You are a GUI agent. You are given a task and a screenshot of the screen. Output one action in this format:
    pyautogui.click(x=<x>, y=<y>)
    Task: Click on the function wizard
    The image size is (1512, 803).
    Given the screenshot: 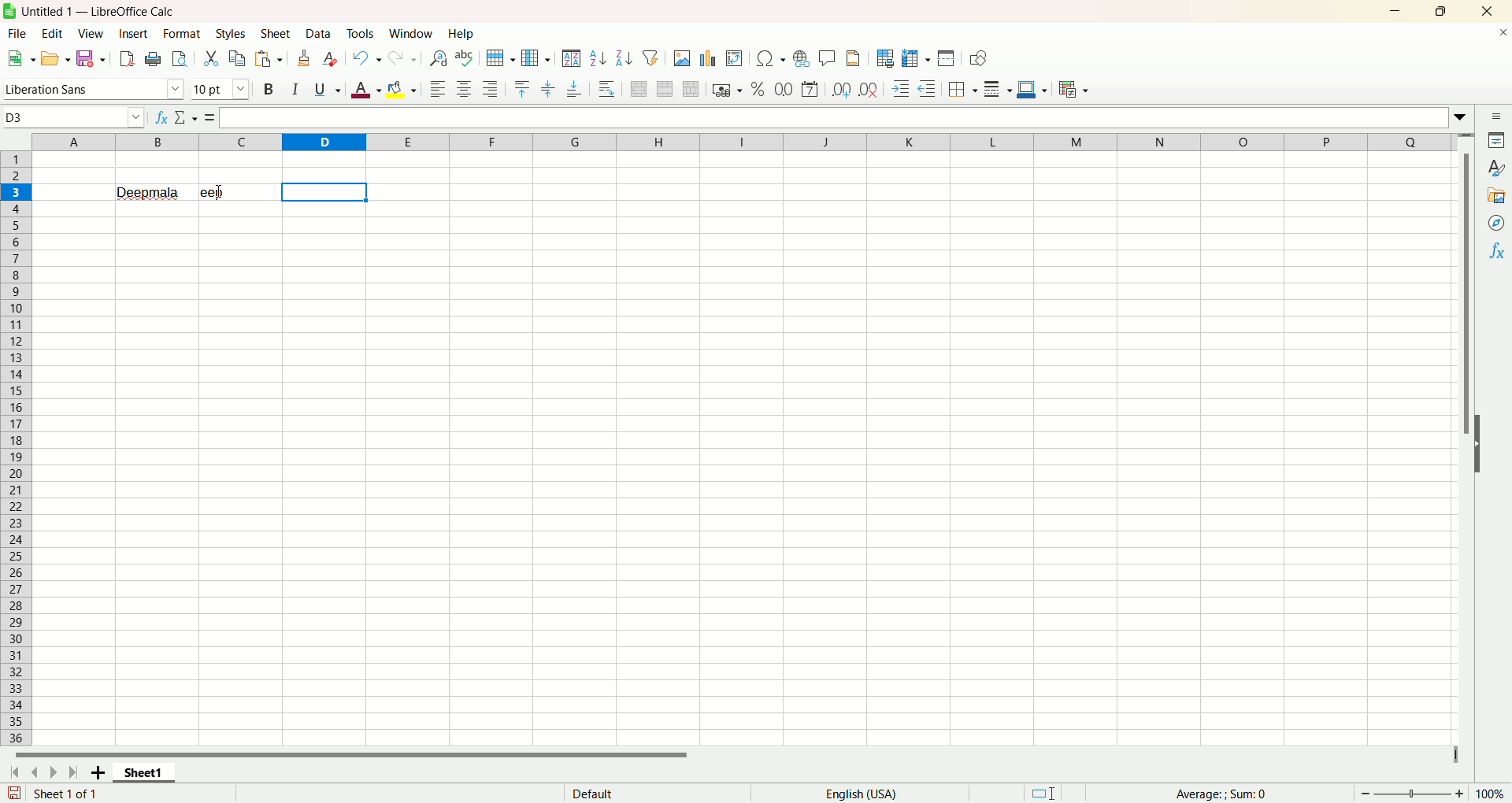 What is the action you would take?
    pyautogui.click(x=161, y=117)
    